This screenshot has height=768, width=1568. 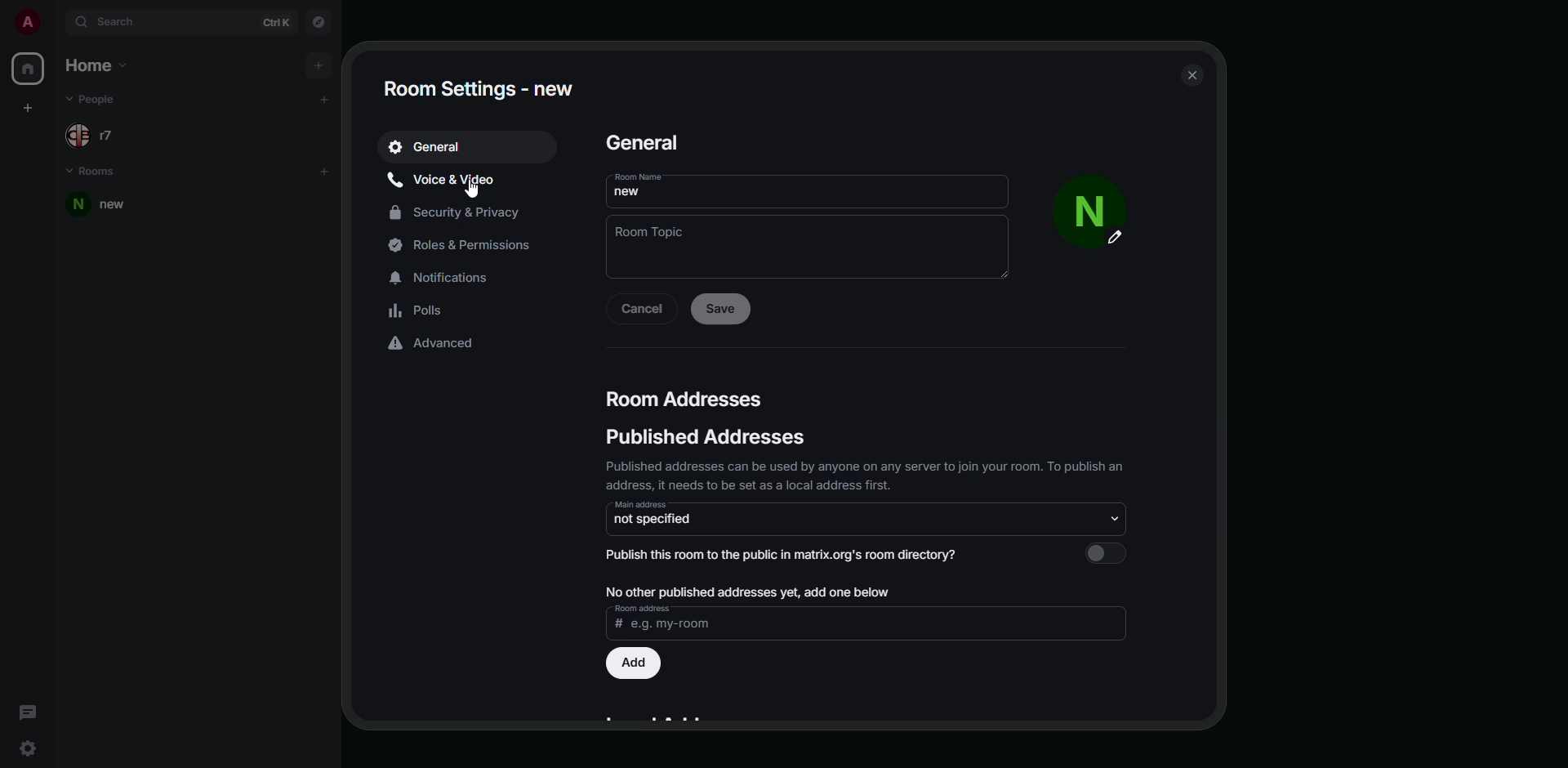 I want to click on voice & video, so click(x=447, y=181).